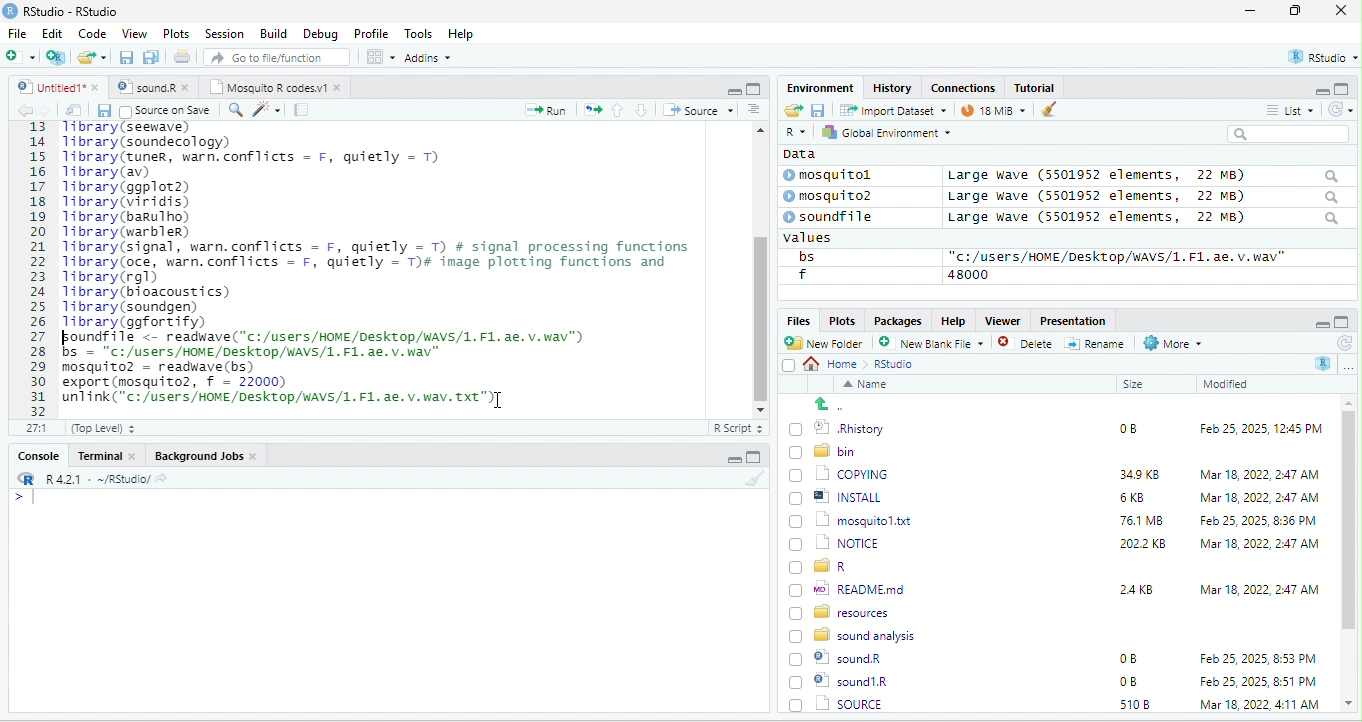 The width and height of the screenshot is (1362, 722). Describe the element at coordinates (593, 108) in the screenshot. I see `open` at that location.